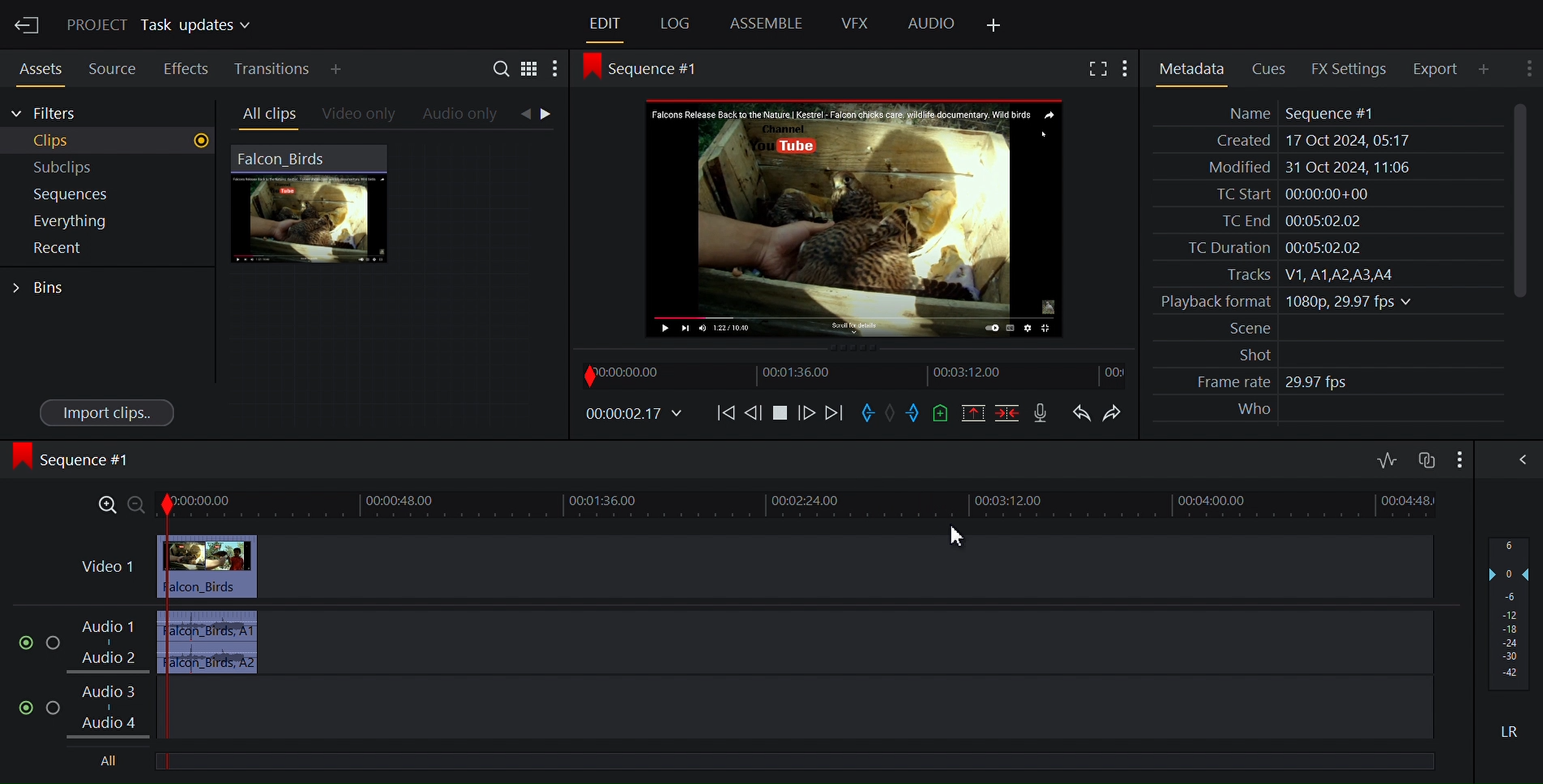 The height and width of the screenshot is (784, 1543). What do you see at coordinates (1506, 728) in the screenshot?
I see `LR` at bounding box center [1506, 728].